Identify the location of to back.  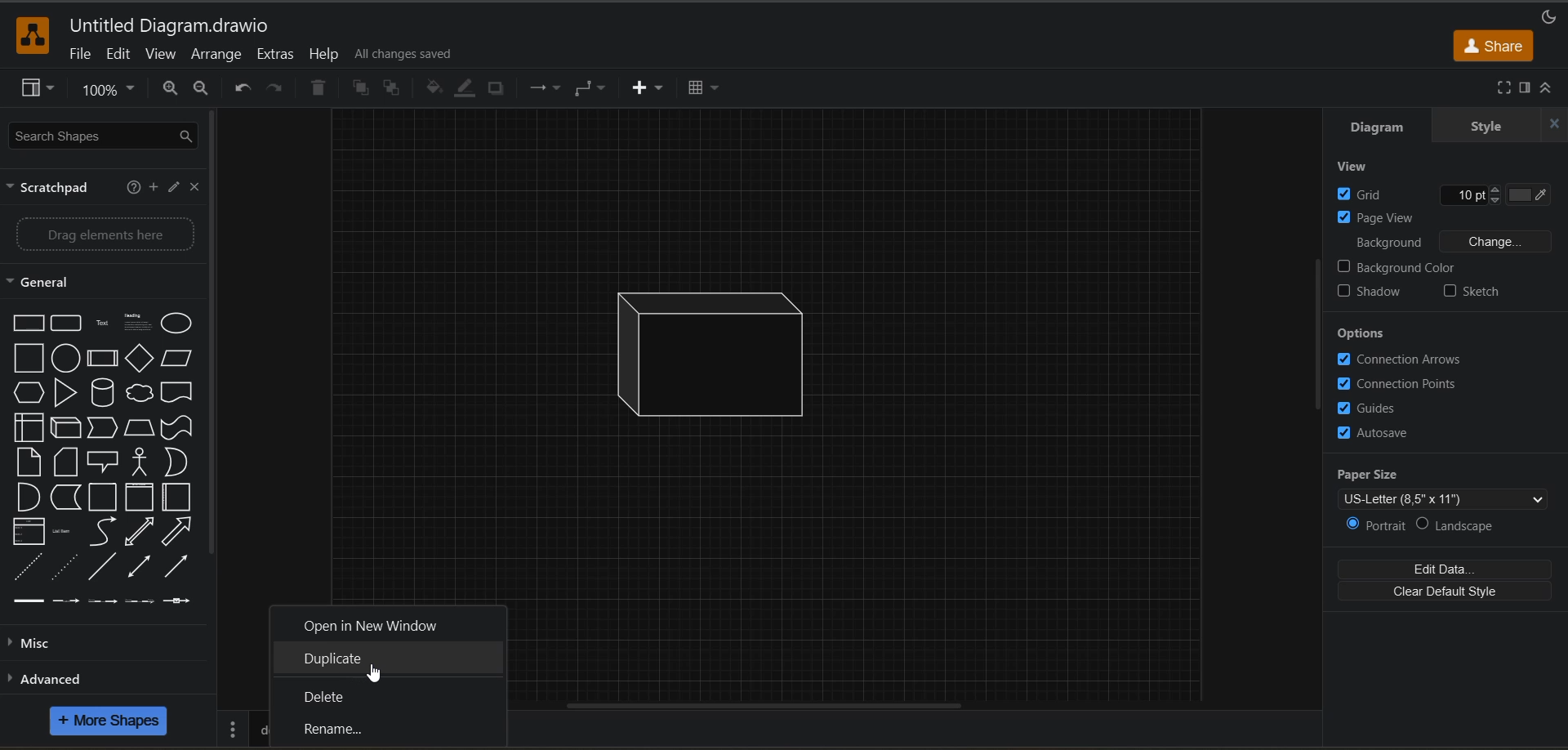
(391, 88).